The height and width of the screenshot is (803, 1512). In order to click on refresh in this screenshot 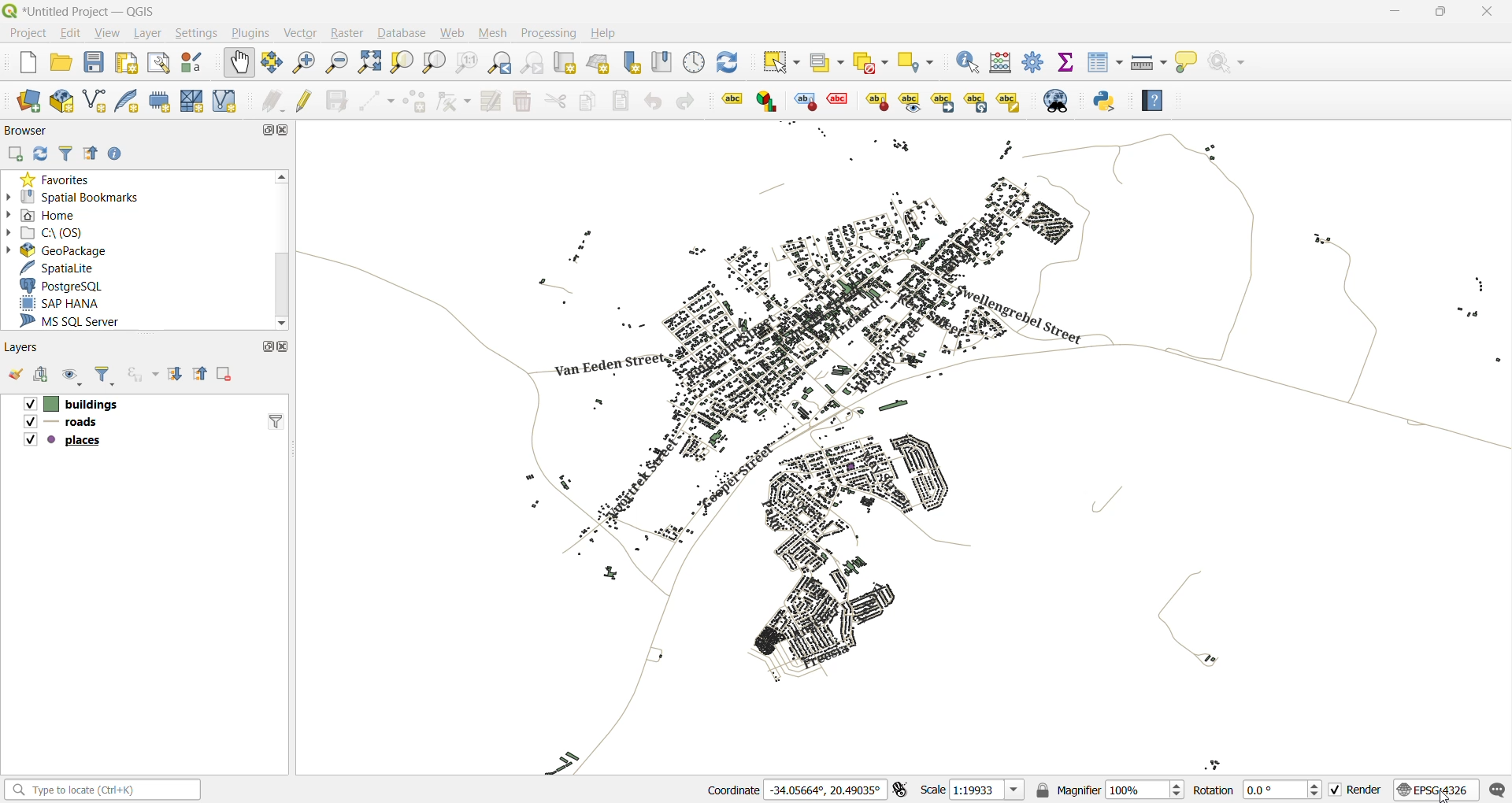, I will do `click(731, 65)`.